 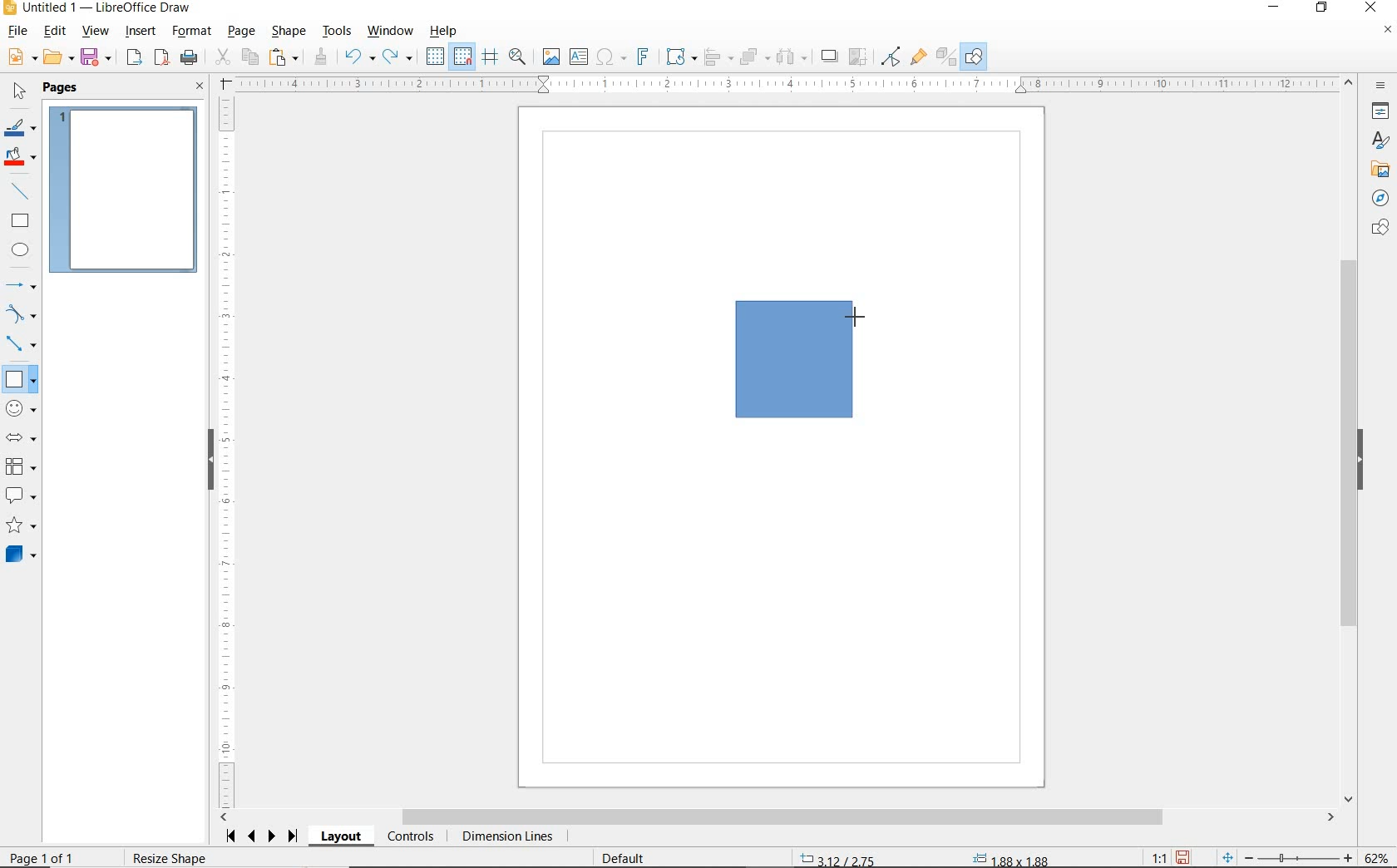 What do you see at coordinates (1376, 141) in the screenshot?
I see `STYLES` at bounding box center [1376, 141].